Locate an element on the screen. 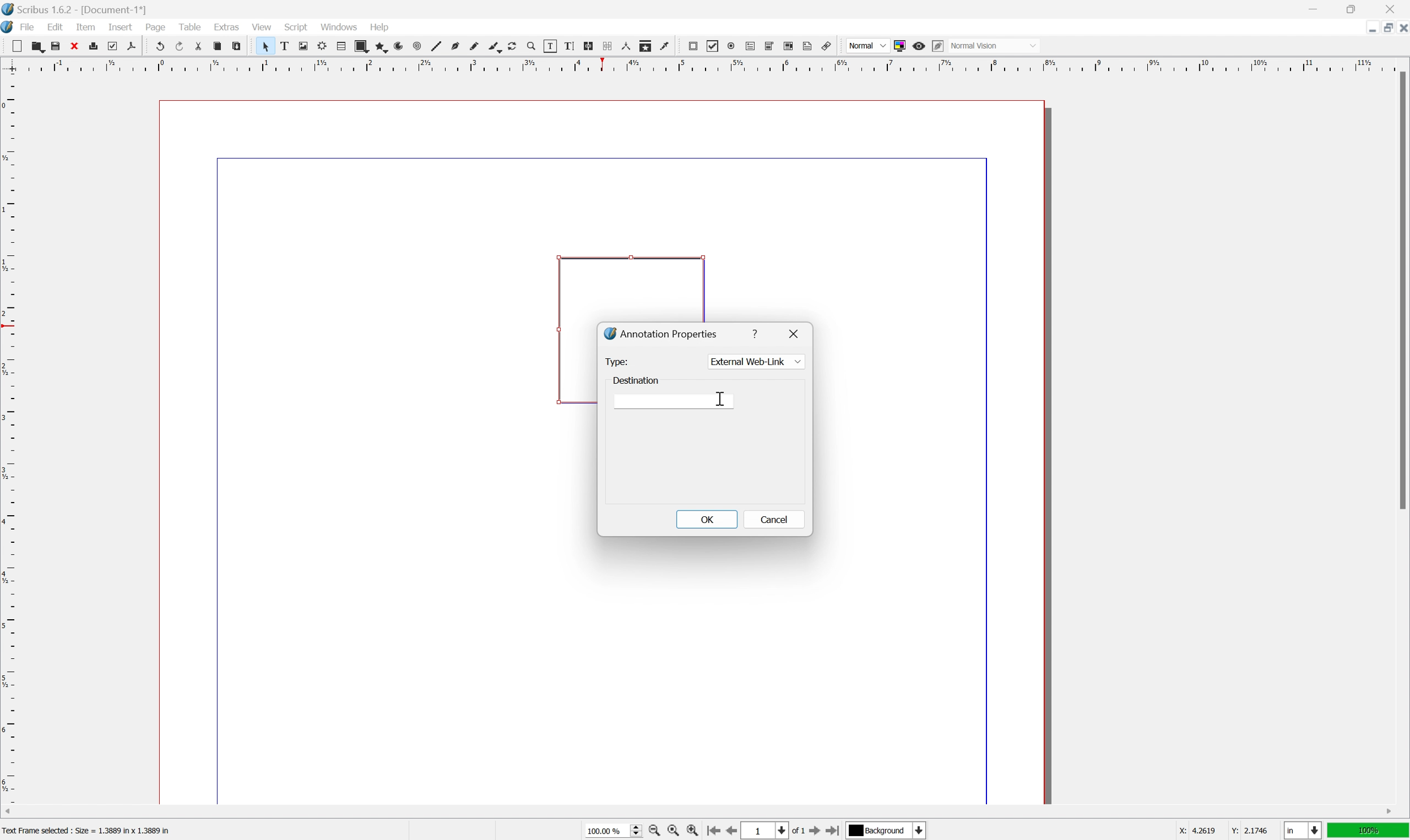 The image size is (1410, 840). type: is located at coordinates (619, 362).